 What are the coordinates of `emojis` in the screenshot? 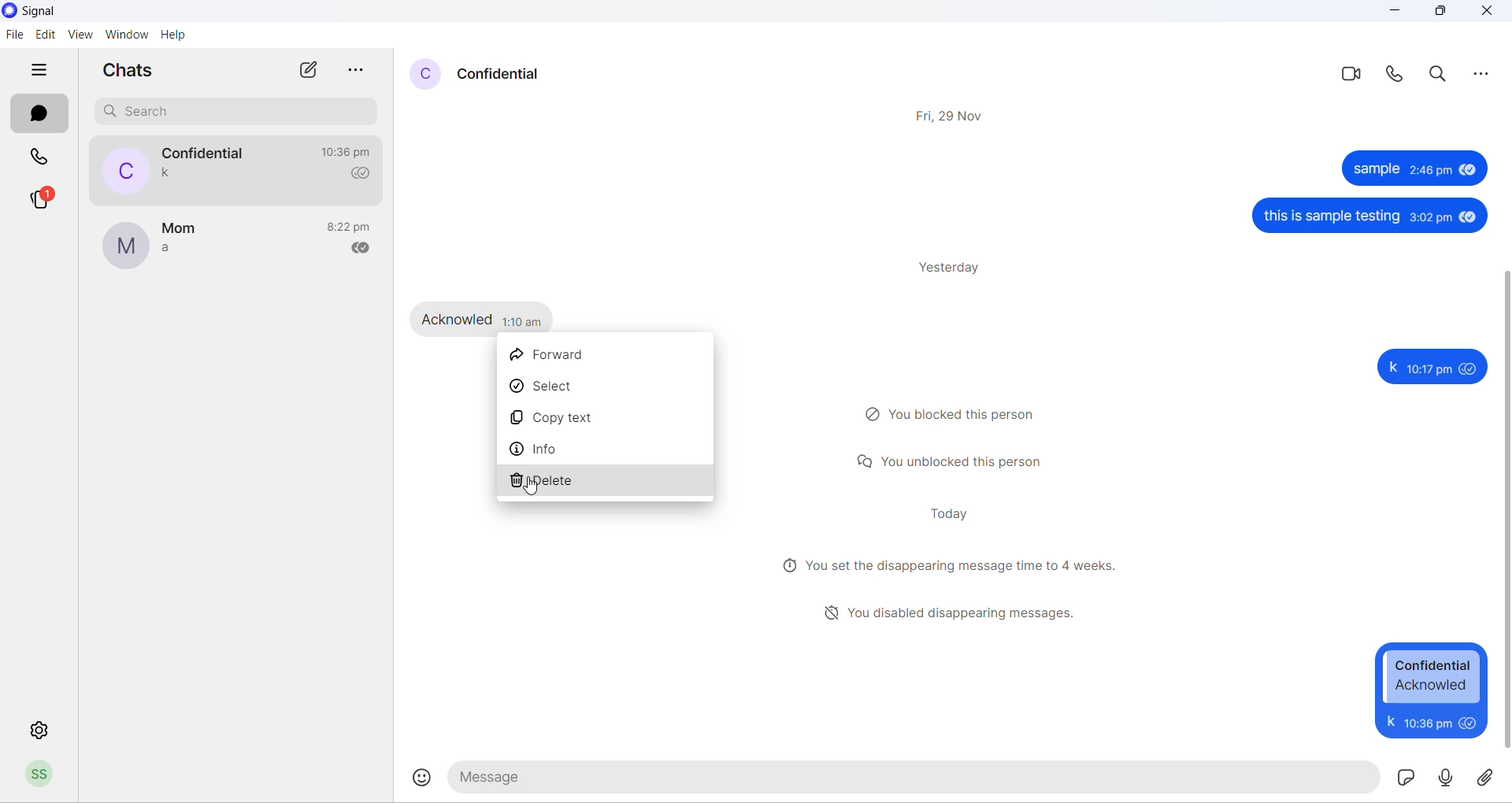 It's located at (424, 778).